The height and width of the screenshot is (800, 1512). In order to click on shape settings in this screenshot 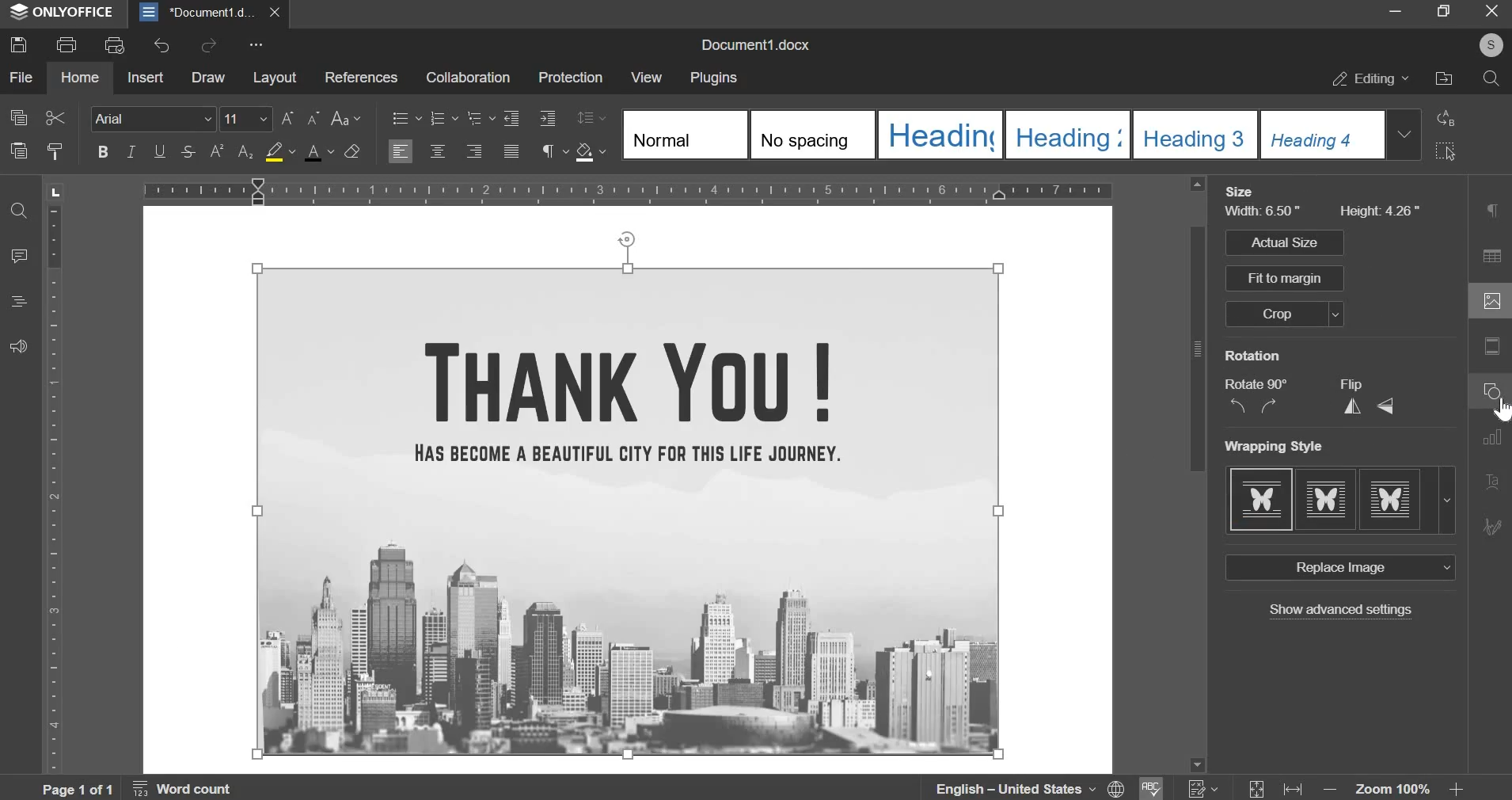, I will do `click(1495, 390)`.